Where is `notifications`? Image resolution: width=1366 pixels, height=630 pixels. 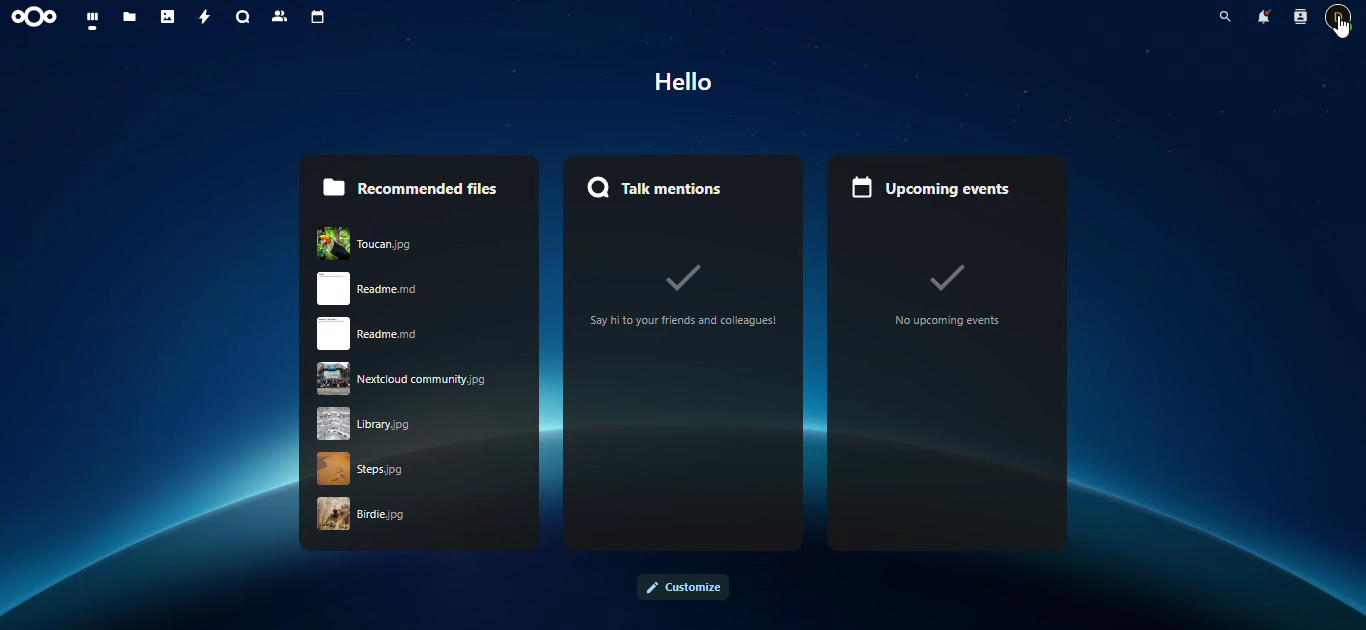
notifications is located at coordinates (1263, 16).